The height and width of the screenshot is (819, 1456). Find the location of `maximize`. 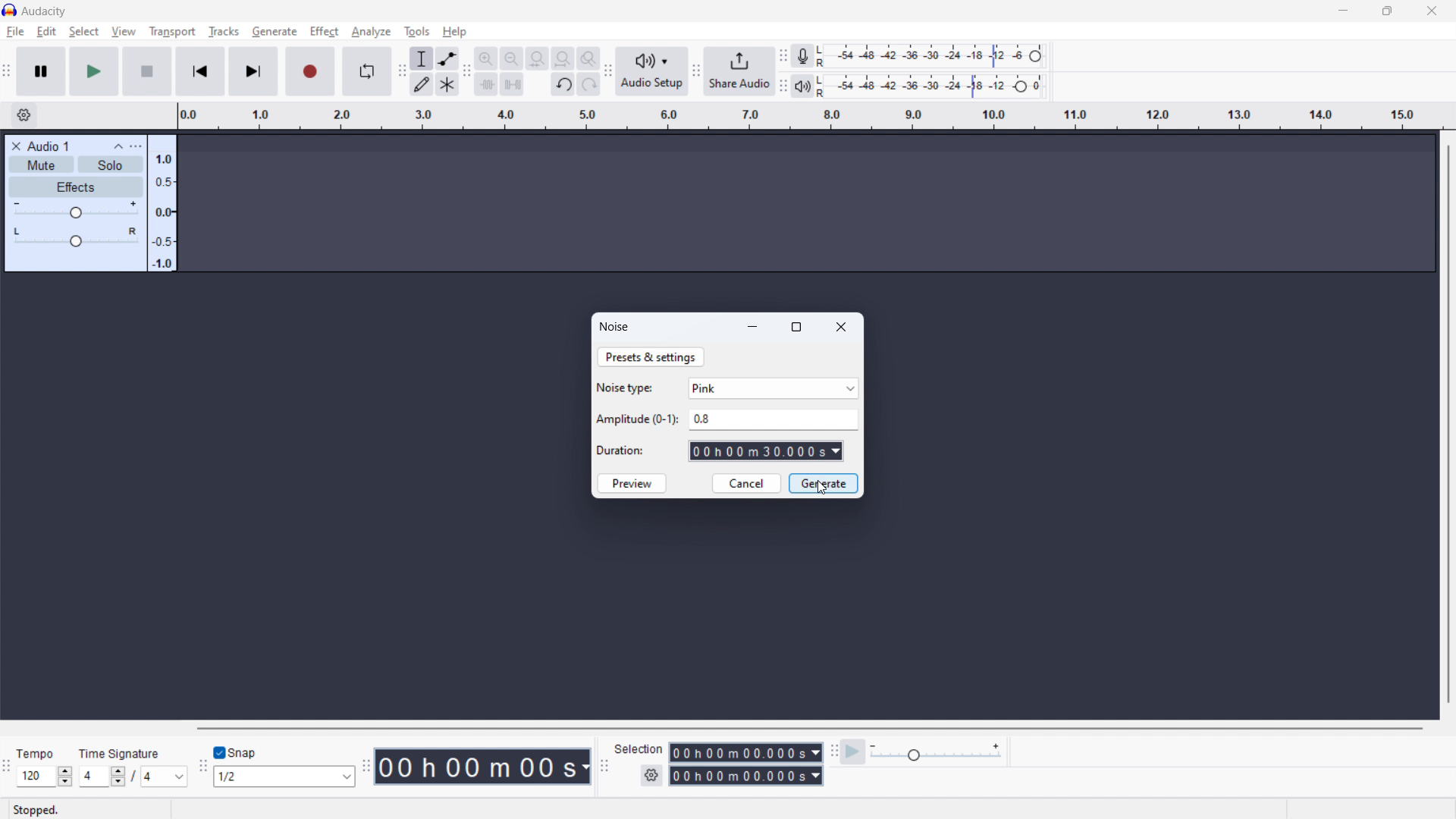

maximize is located at coordinates (796, 328).